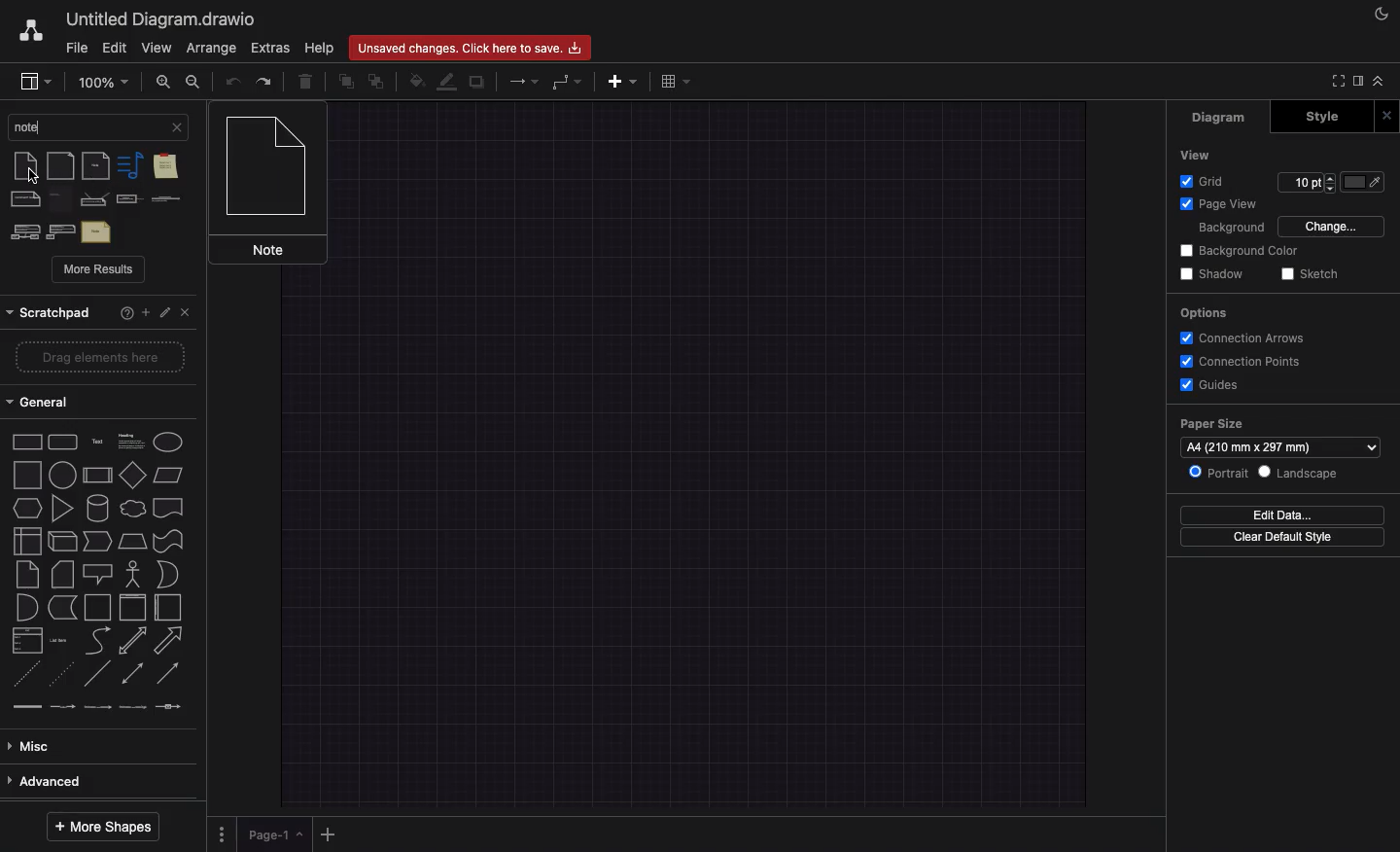 The width and height of the screenshot is (1400, 852). I want to click on Paper size, so click(1281, 446).